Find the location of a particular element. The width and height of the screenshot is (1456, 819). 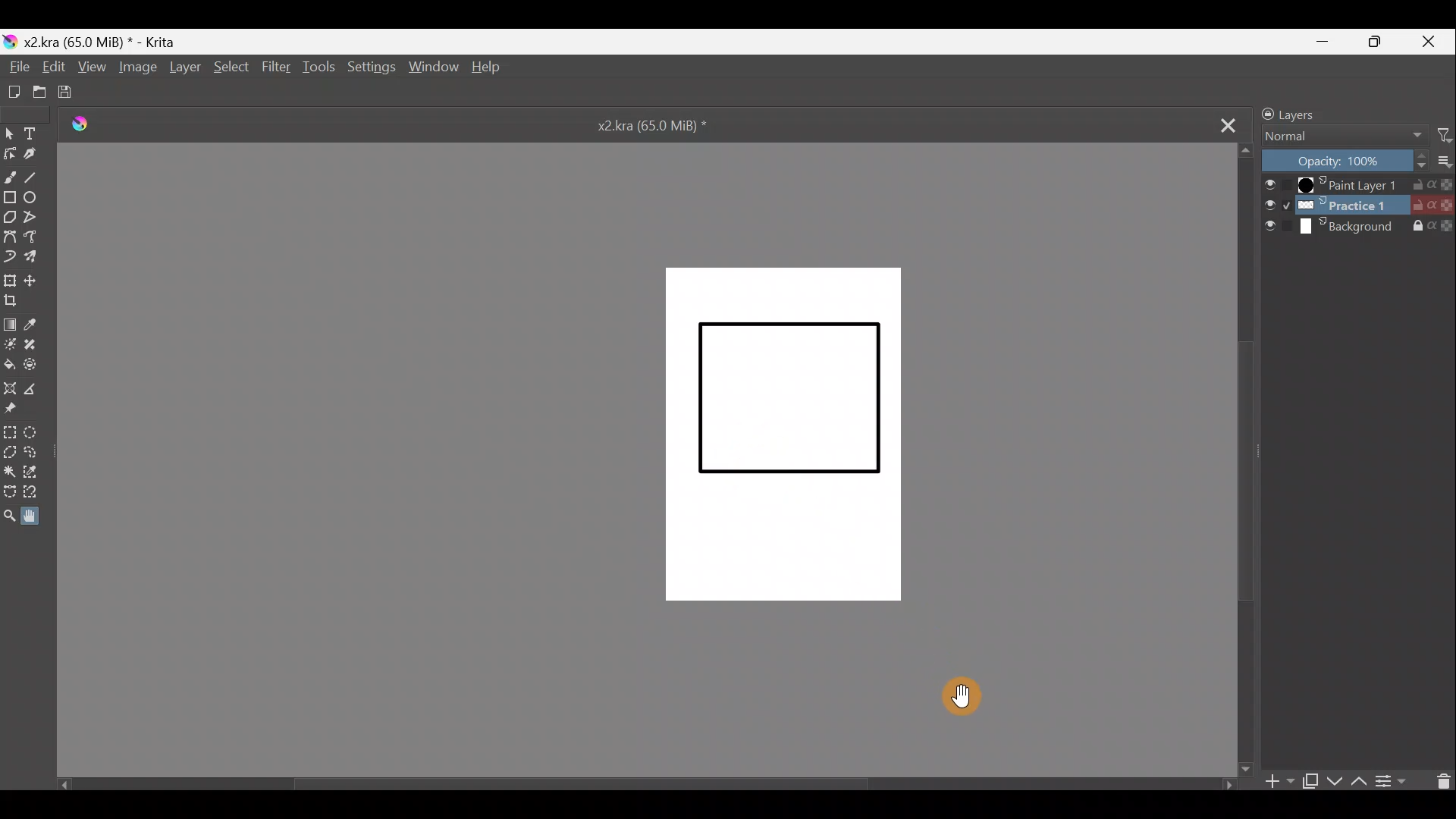

Layer Opacity is located at coordinates (1343, 163).